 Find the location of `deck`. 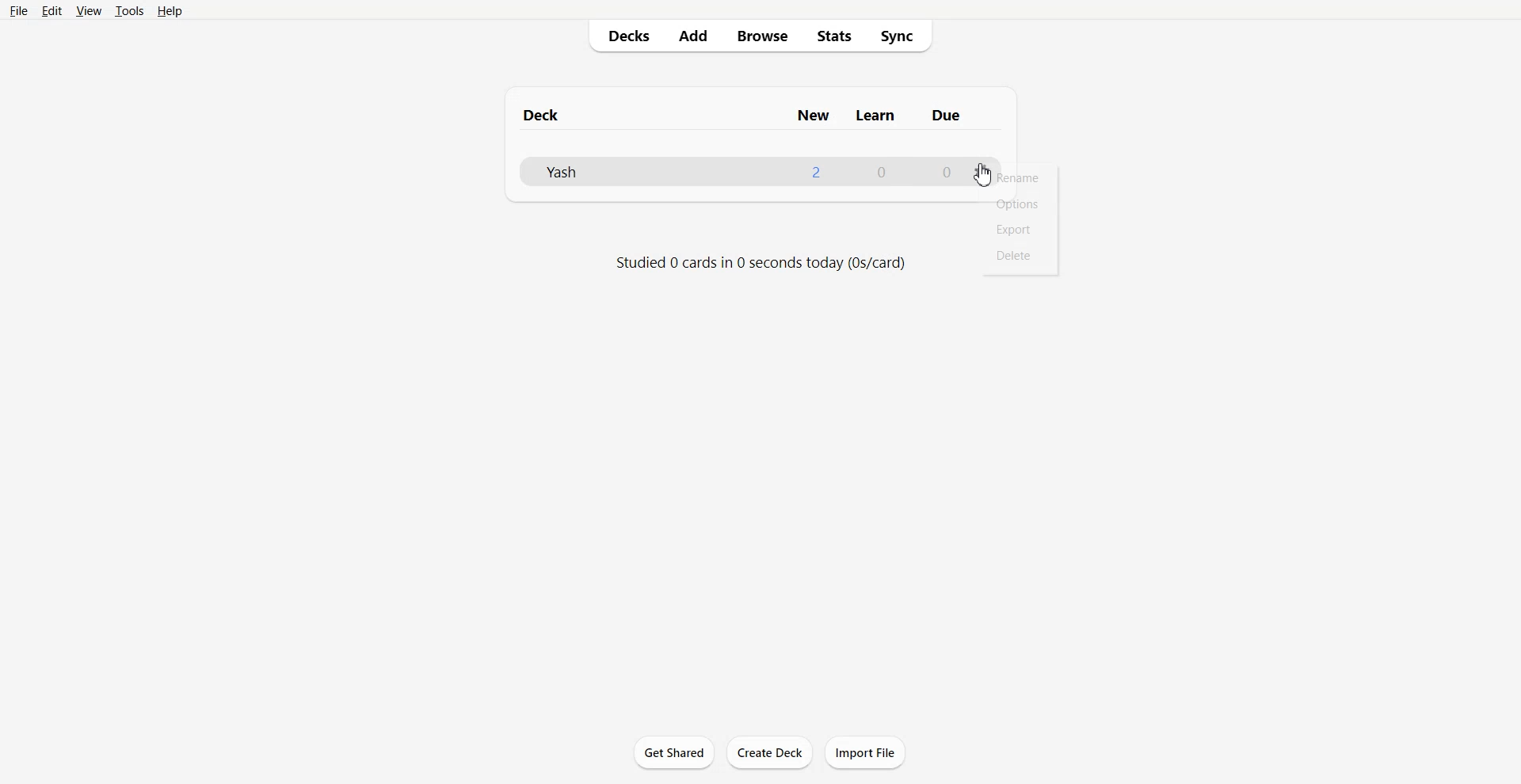

deck is located at coordinates (556, 113).